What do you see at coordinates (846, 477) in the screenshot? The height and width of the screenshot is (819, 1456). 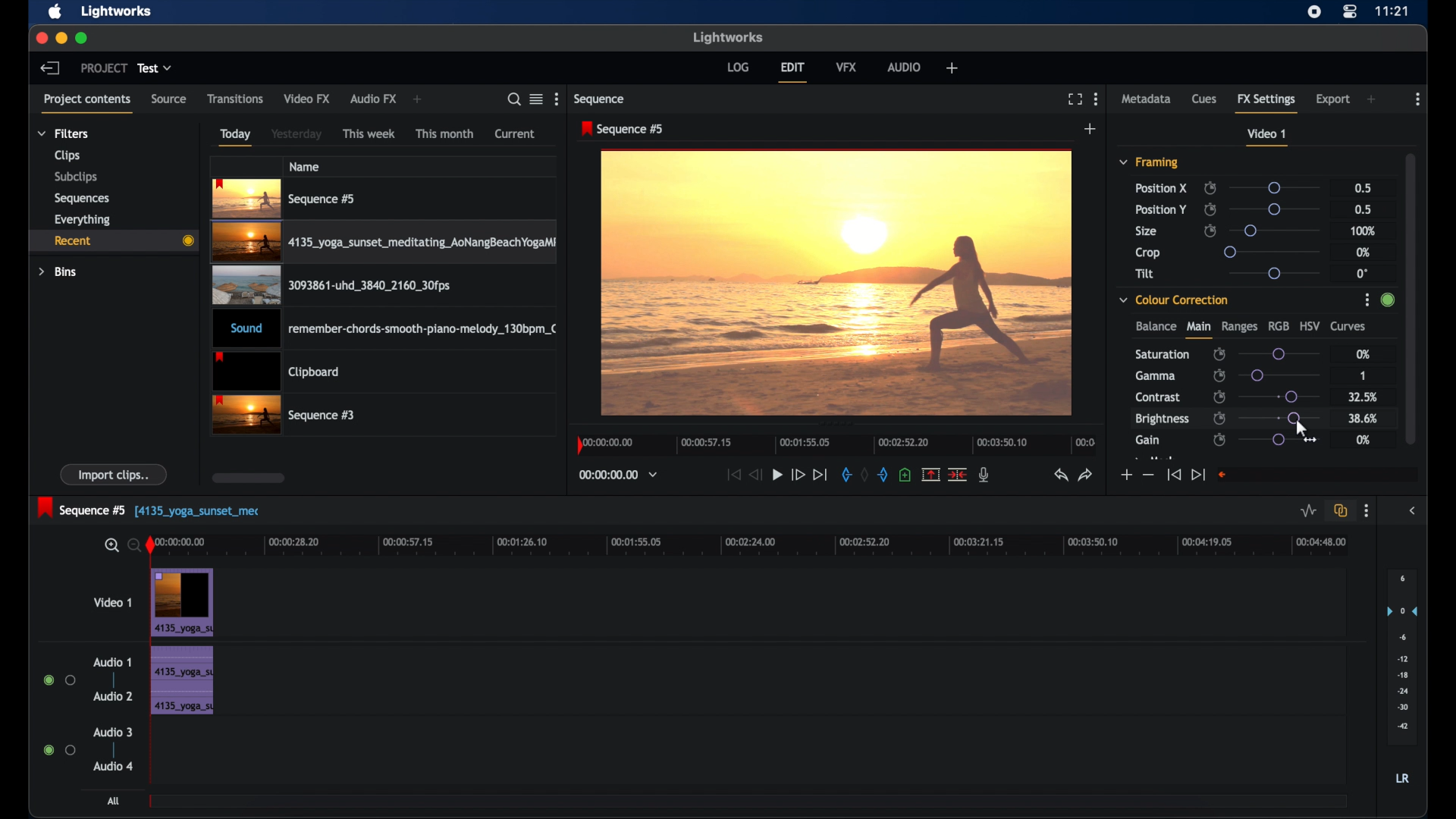 I see `in mark` at bounding box center [846, 477].